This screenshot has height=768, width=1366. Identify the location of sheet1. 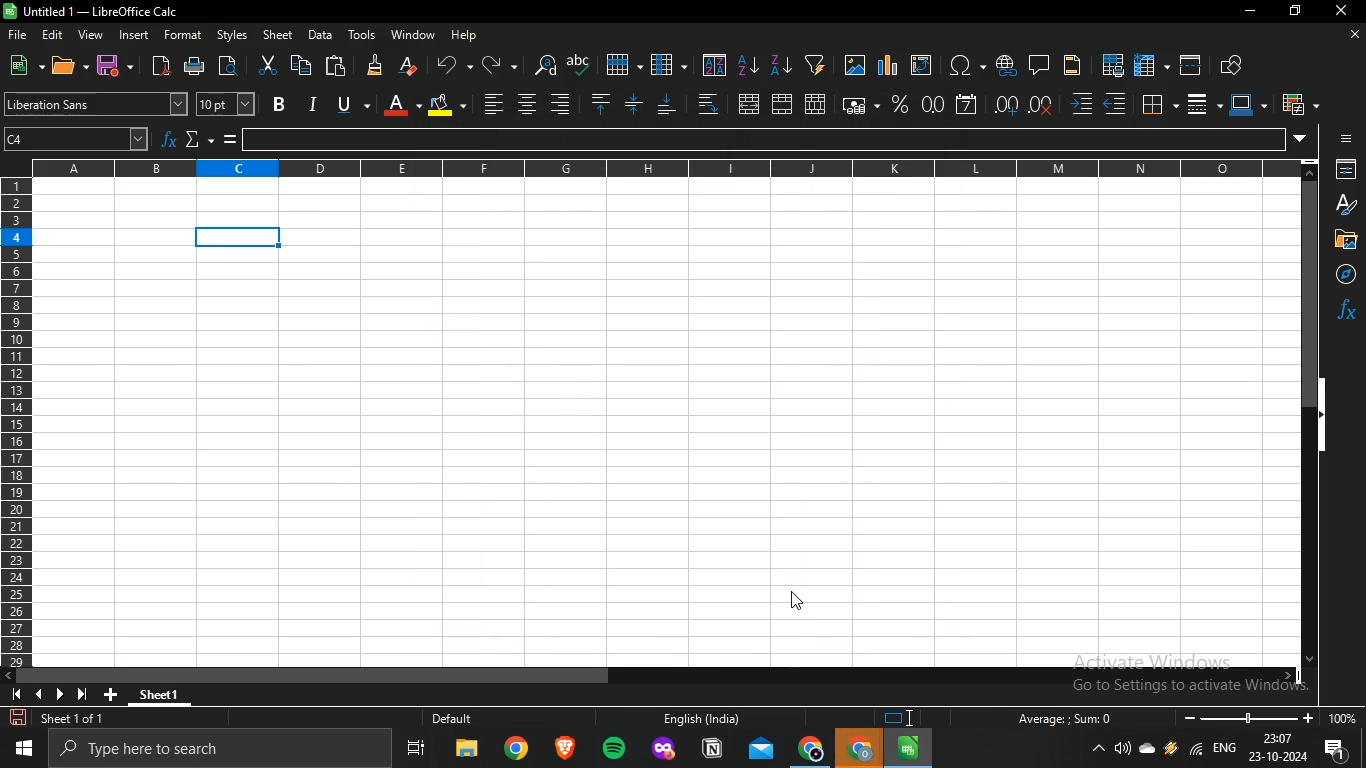
(665, 423).